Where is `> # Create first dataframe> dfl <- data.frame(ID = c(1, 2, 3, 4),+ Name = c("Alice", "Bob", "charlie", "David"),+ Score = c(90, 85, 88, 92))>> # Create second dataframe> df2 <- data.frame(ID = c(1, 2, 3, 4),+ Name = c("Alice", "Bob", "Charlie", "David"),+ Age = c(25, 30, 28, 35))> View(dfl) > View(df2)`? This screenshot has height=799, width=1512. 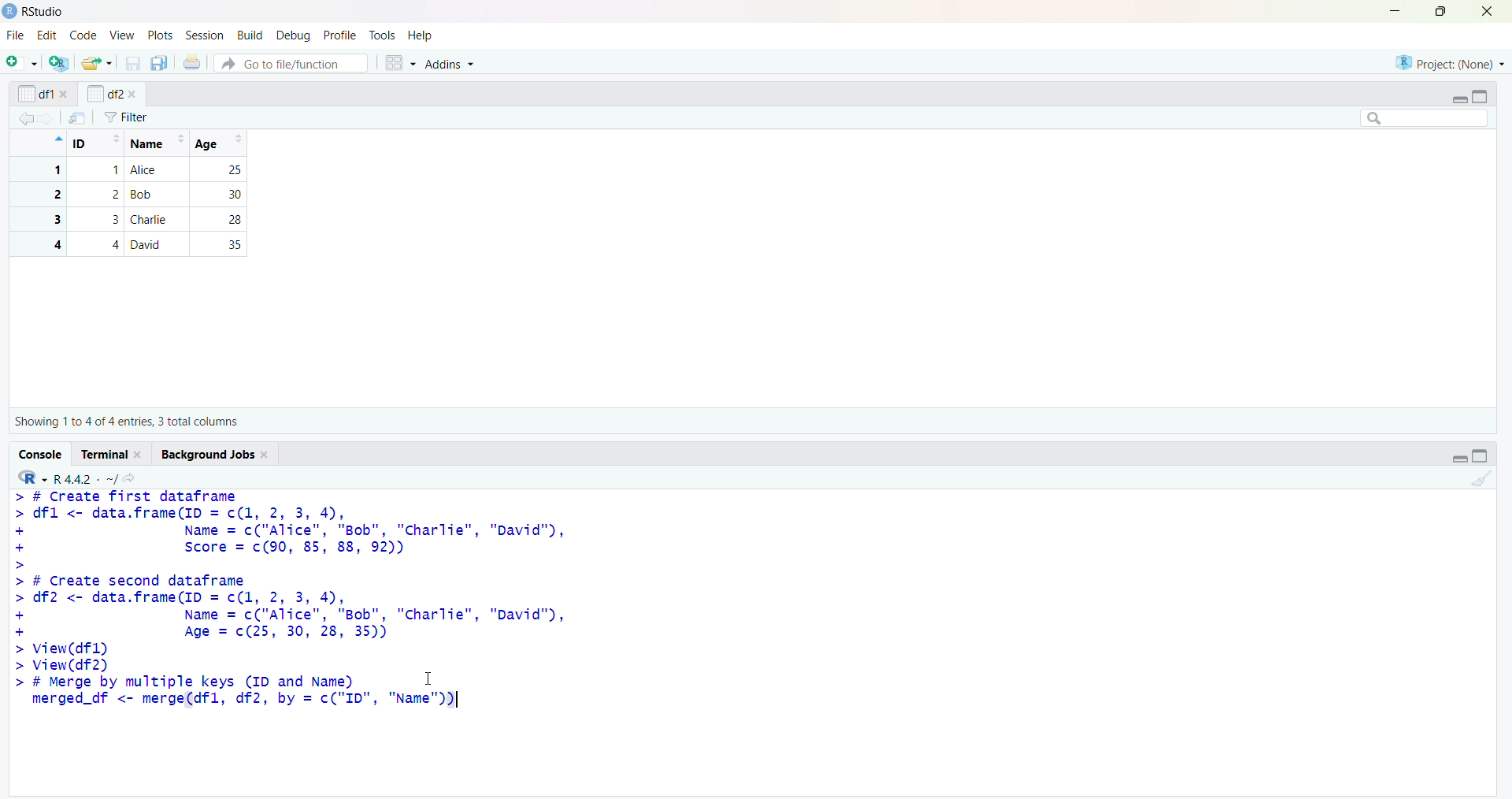 > # Create first dataframe> dfl <- data.frame(ID = c(1, 2, 3, 4),+ Name = c("Alice", "Bob", "charlie", "David"),+ Score = c(90, 85, 88, 92))>> # Create second dataframe> df2 <- data.frame(ID = c(1, 2, 3, 4),+ Name = c("Alice", "Bob", "Charlie", "David"),+ Age = c(25, 30, 28, 35))> View(dfl) > View(df2) is located at coordinates (291, 582).